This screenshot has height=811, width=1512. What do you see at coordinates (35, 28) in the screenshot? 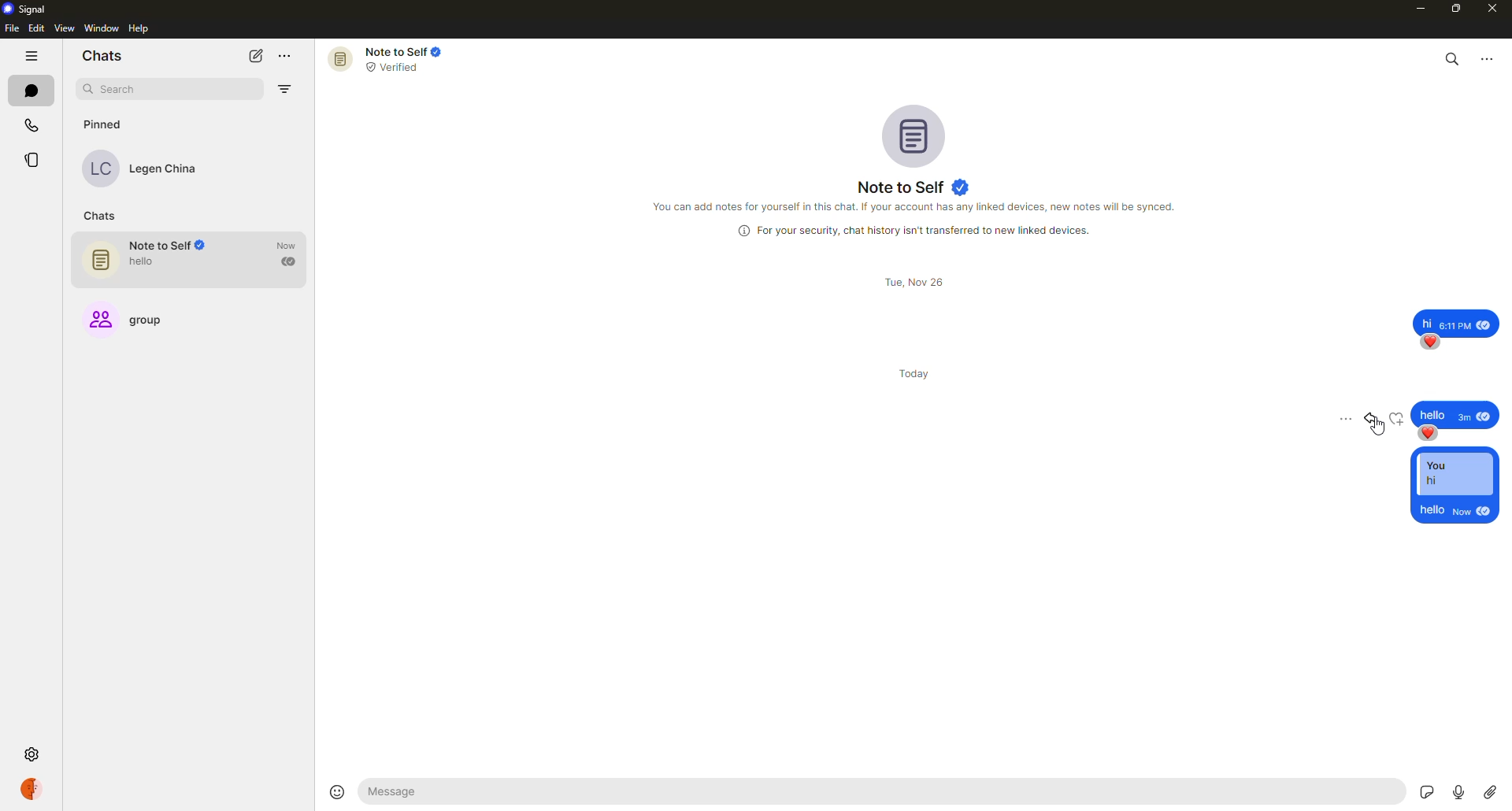
I see `edit` at bounding box center [35, 28].